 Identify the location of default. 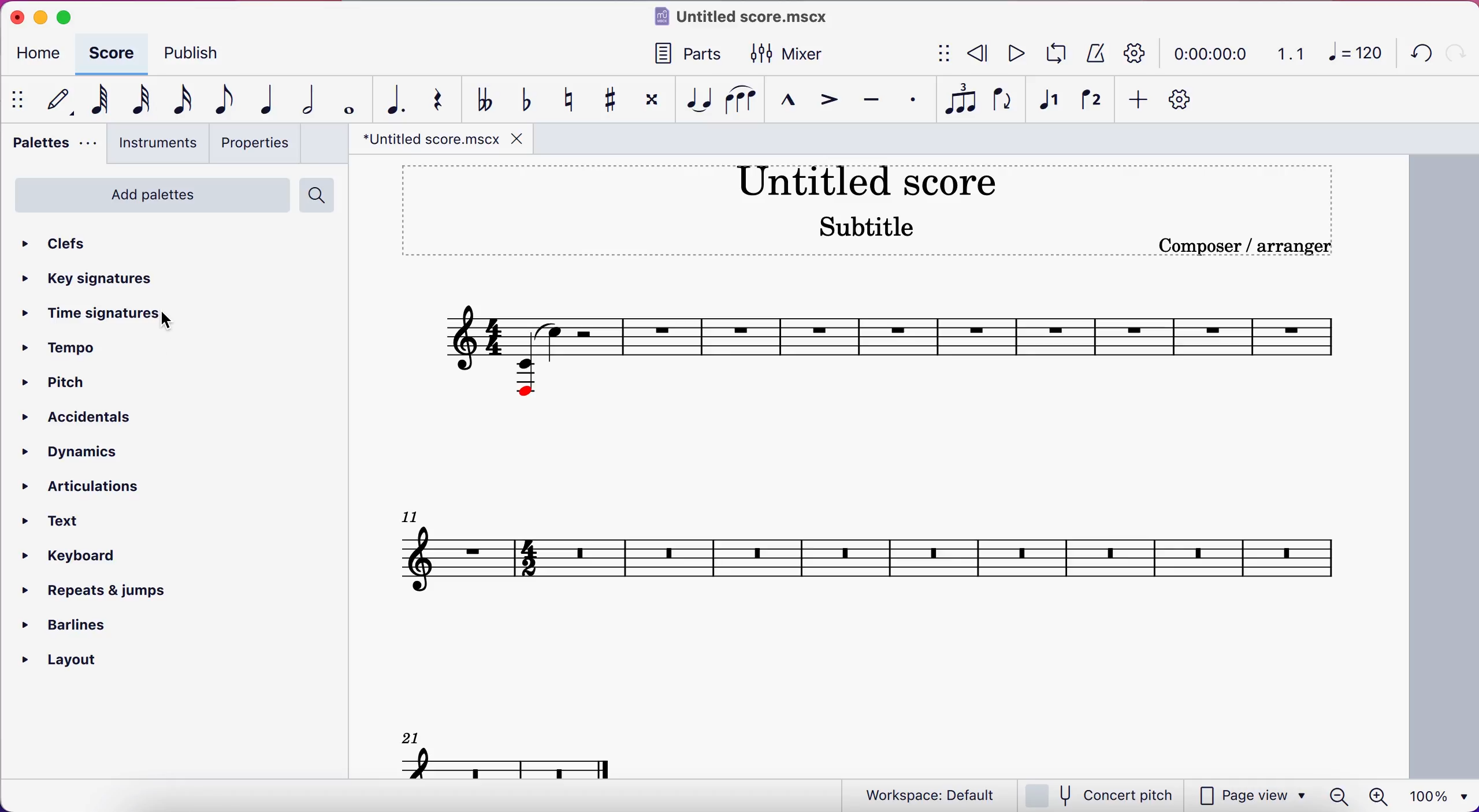
(58, 102).